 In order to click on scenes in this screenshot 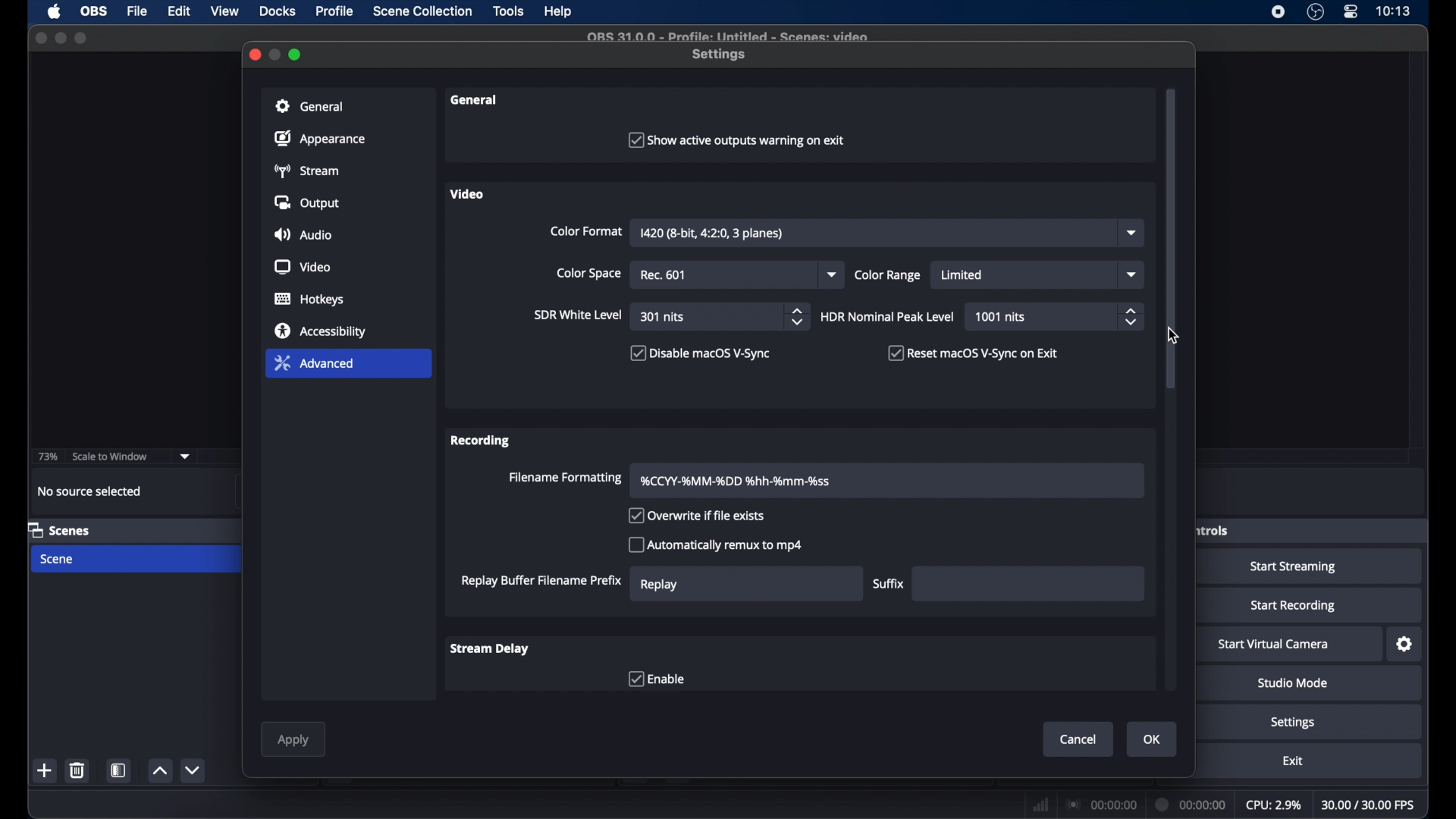, I will do `click(59, 529)`.